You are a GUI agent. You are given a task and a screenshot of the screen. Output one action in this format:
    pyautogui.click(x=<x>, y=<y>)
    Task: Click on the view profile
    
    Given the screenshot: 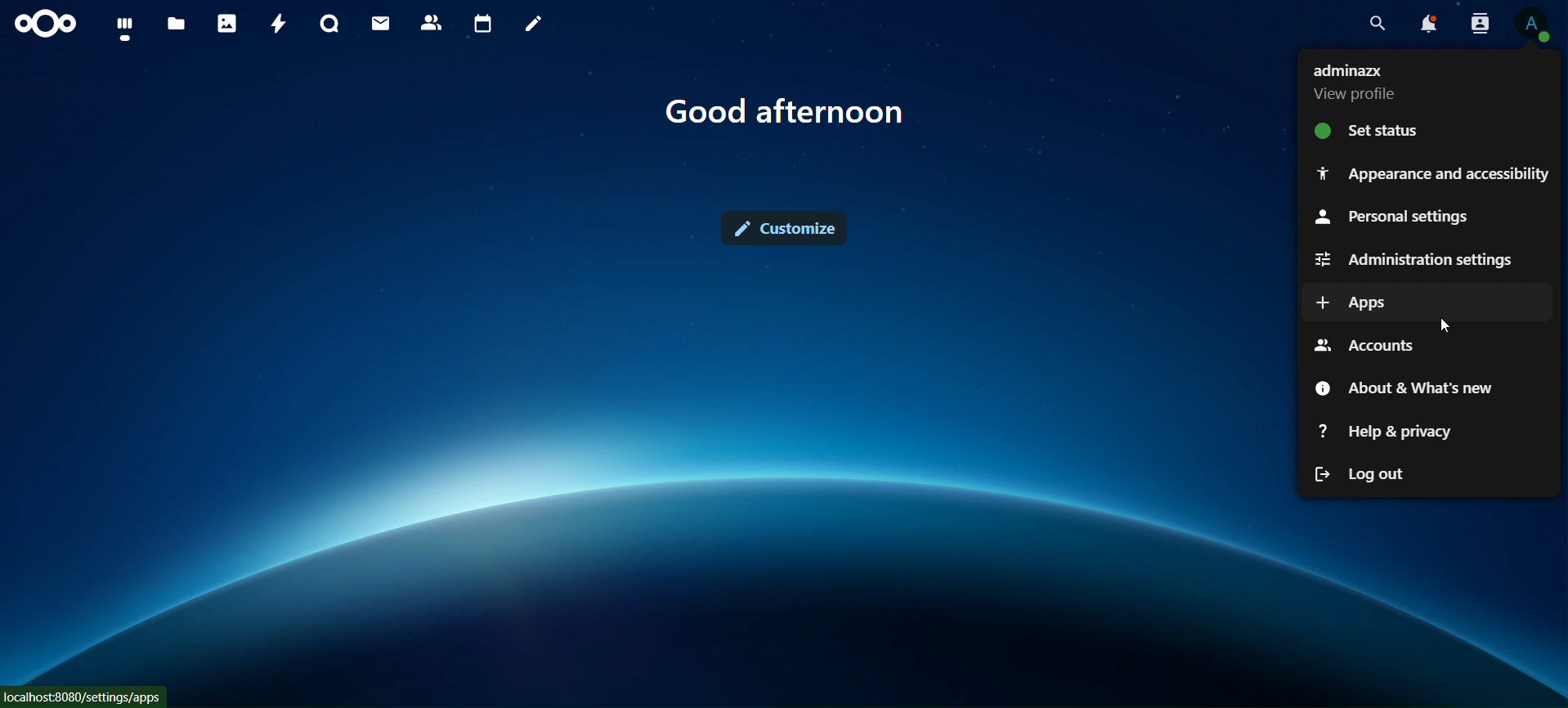 What is the action you would take?
    pyautogui.click(x=1534, y=21)
    